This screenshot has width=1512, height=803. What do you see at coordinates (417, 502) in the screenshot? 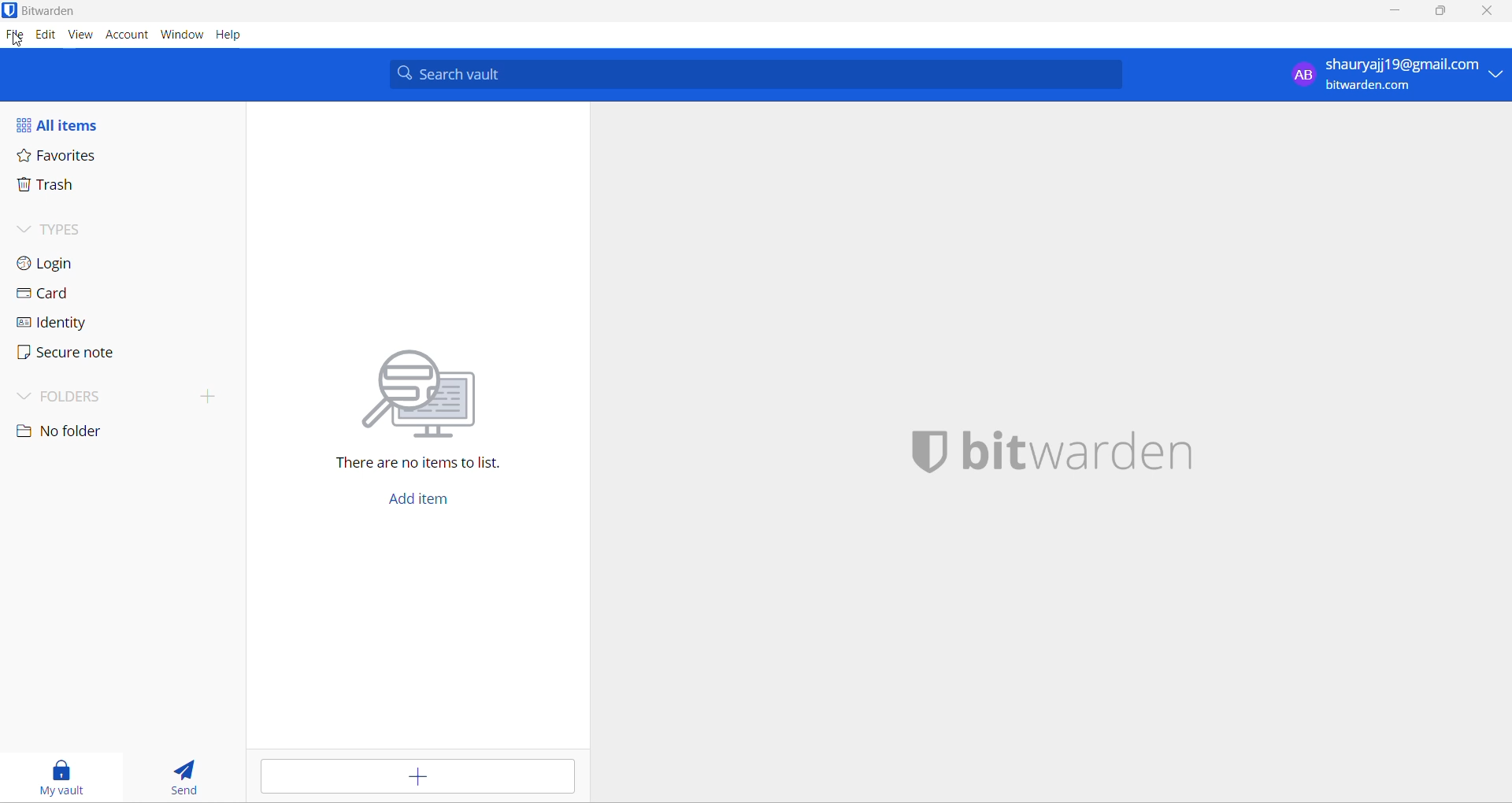
I see `add item button` at bounding box center [417, 502].